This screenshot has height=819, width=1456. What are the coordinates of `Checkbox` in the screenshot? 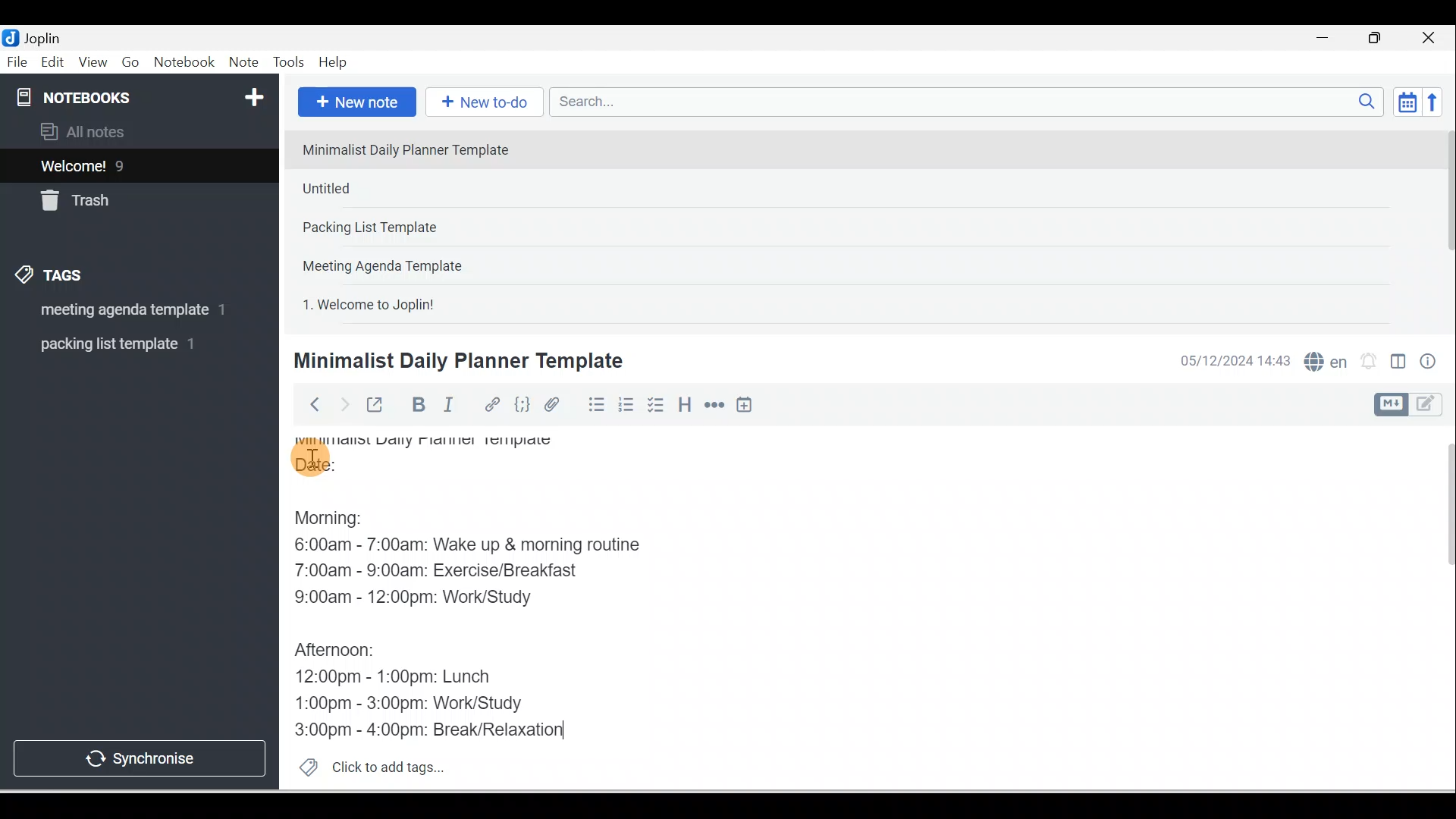 It's located at (654, 405).